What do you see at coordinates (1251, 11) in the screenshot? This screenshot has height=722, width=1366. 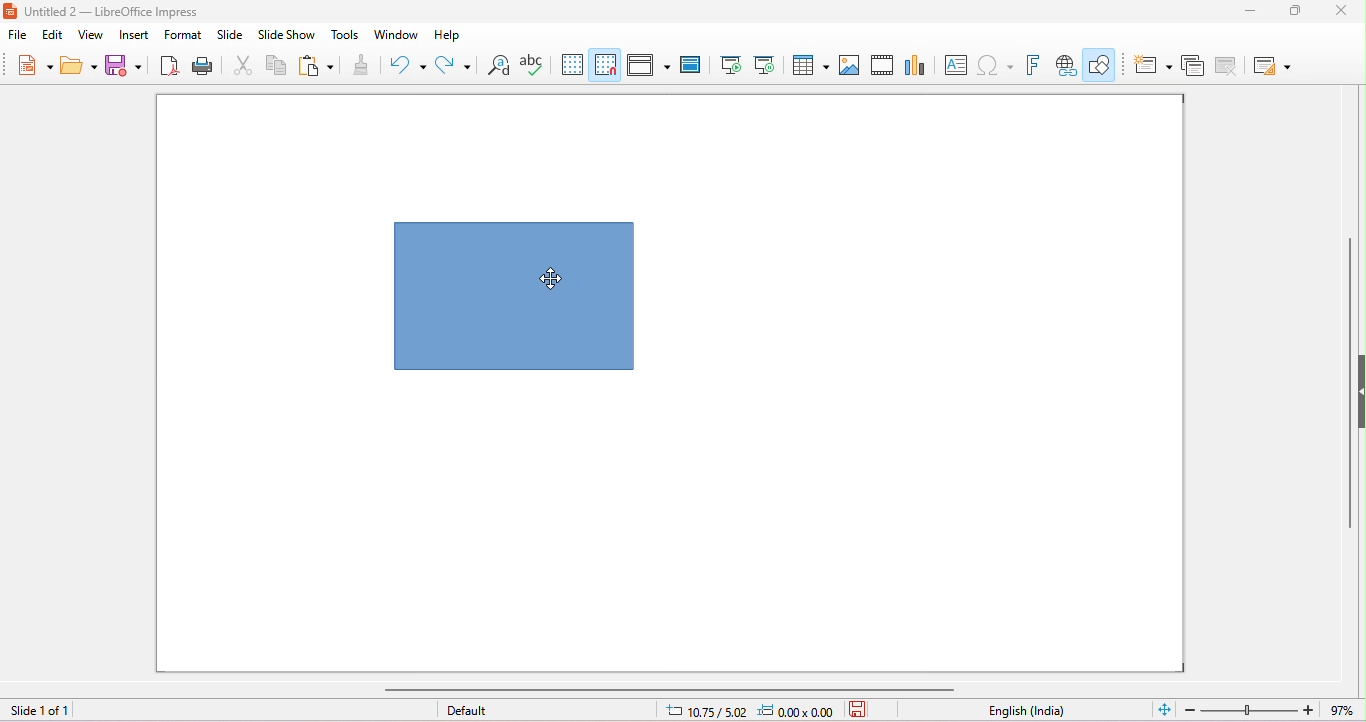 I see `minimize` at bounding box center [1251, 11].